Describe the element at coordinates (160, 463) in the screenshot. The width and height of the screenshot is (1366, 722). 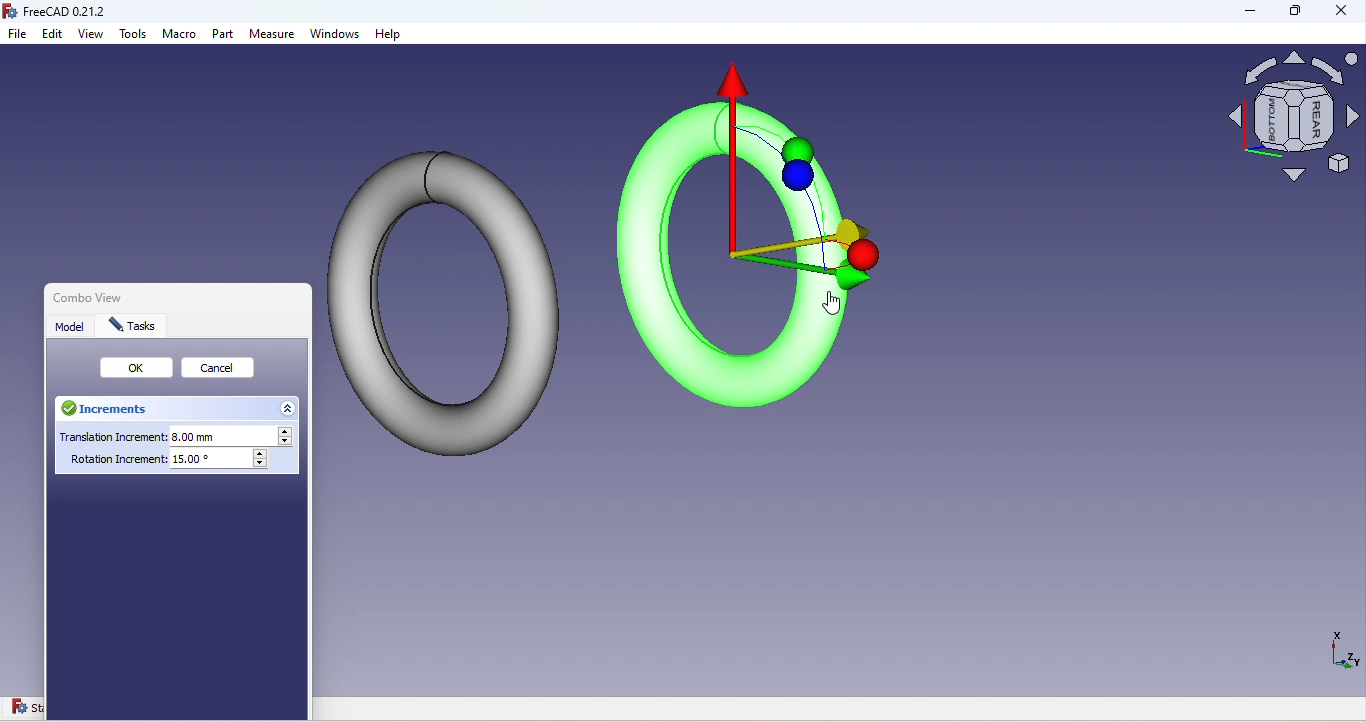
I see `Rotation increment` at that location.